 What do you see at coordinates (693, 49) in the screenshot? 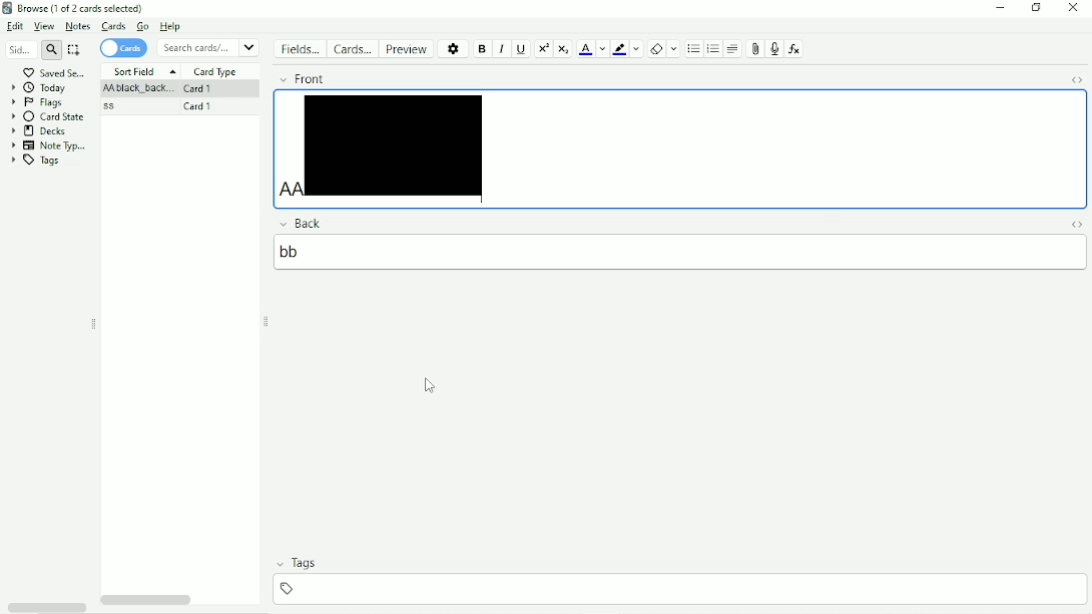
I see `Ordered list` at bounding box center [693, 49].